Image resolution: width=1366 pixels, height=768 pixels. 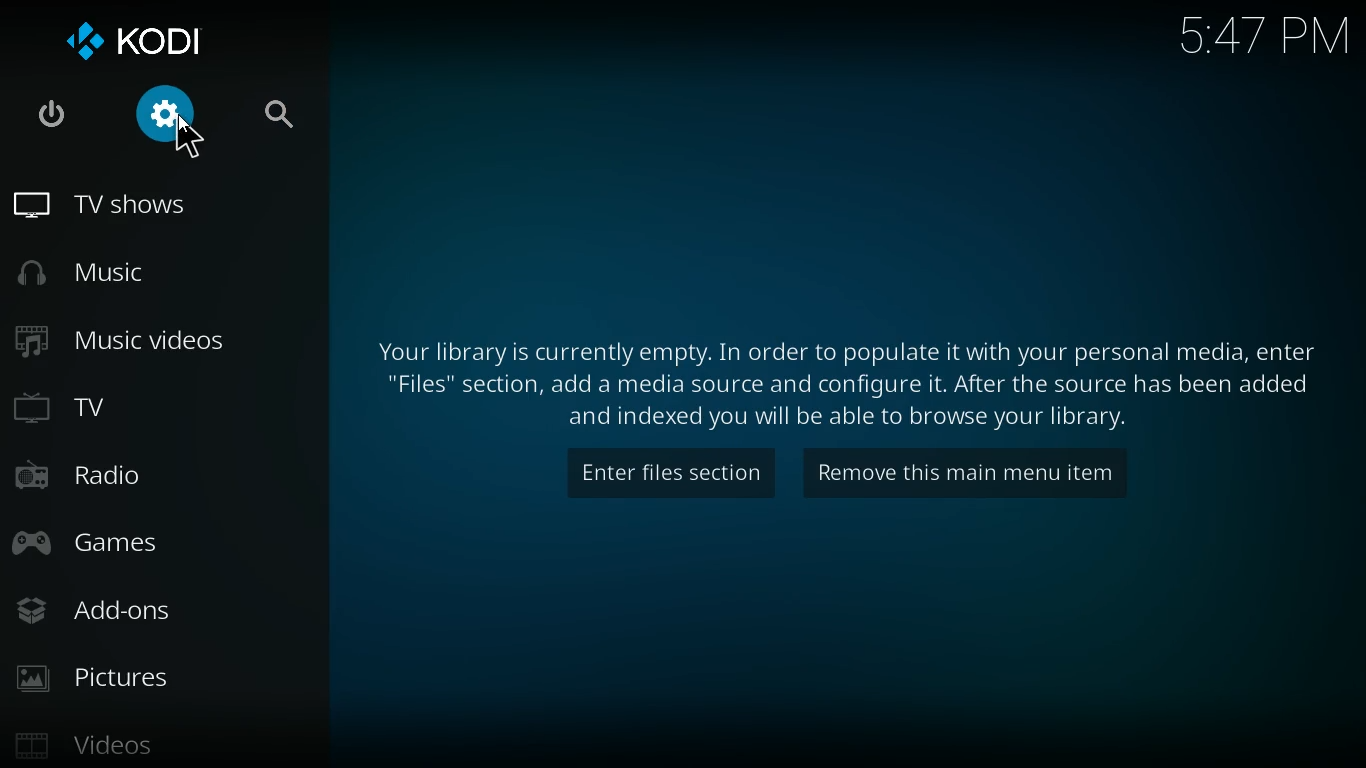 What do you see at coordinates (155, 341) in the screenshot?
I see `music videos` at bounding box center [155, 341].